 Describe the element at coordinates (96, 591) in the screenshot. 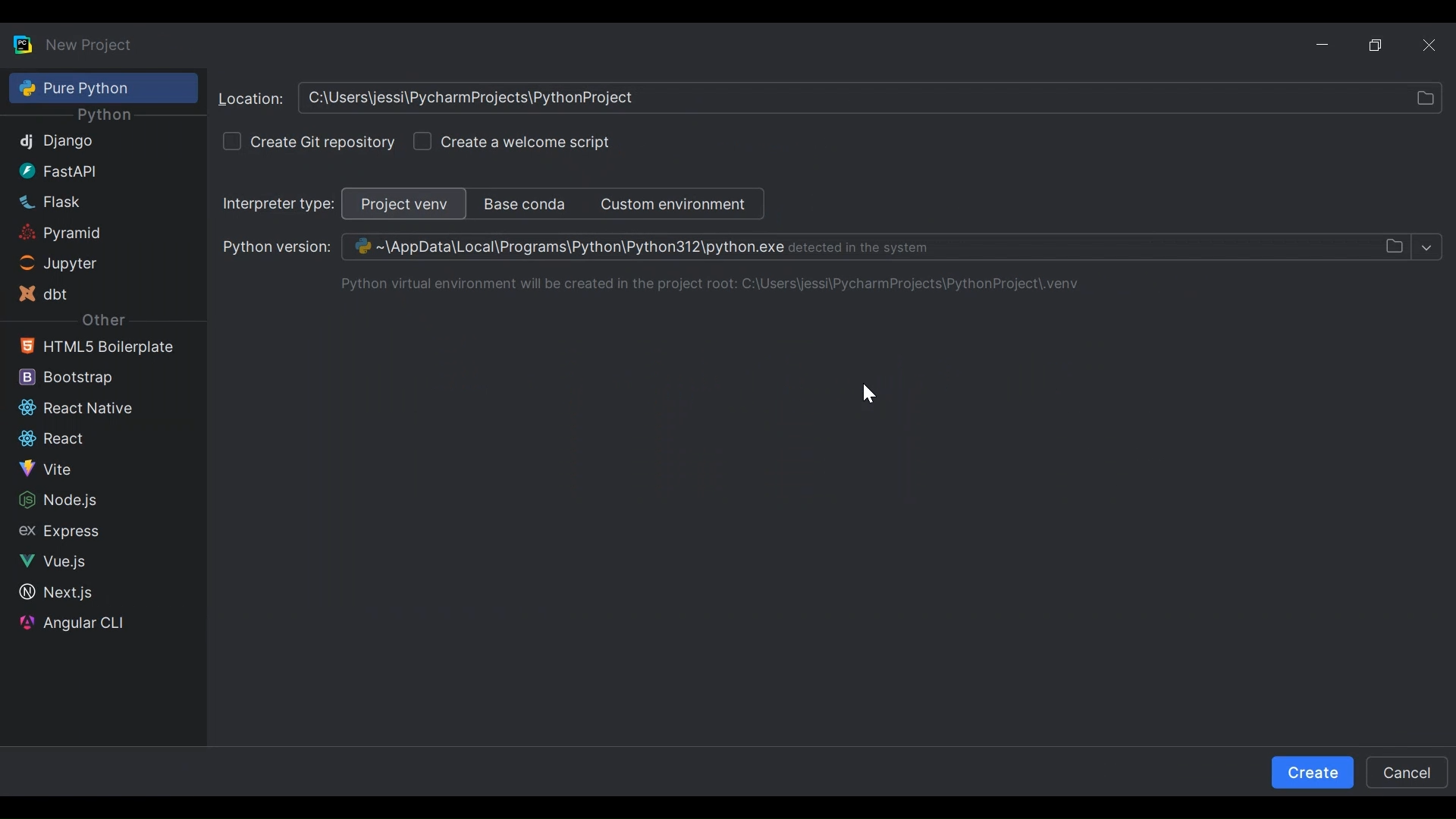

I see `Next.js` at that location.